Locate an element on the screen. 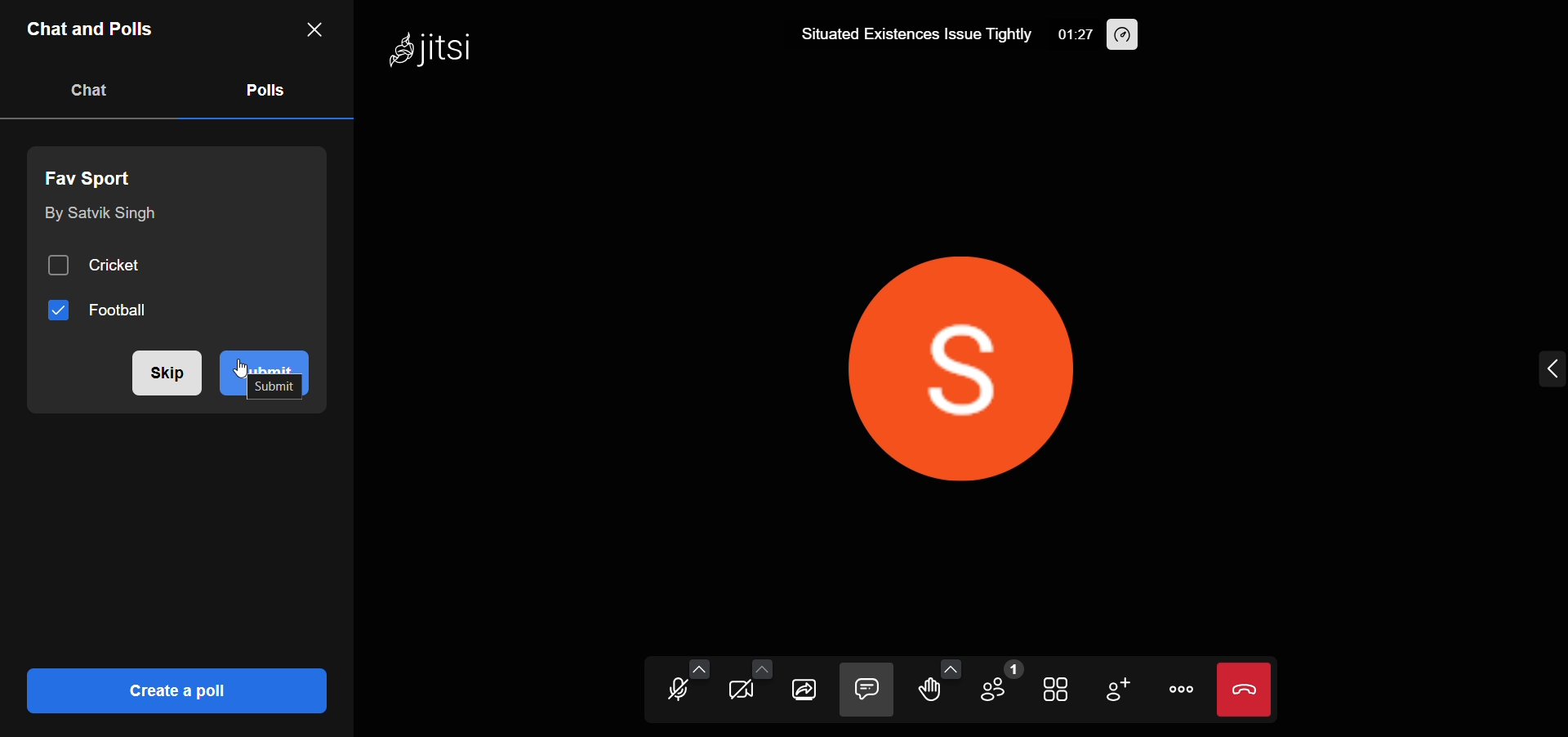  create a poll is located at coordinates (176, 690).